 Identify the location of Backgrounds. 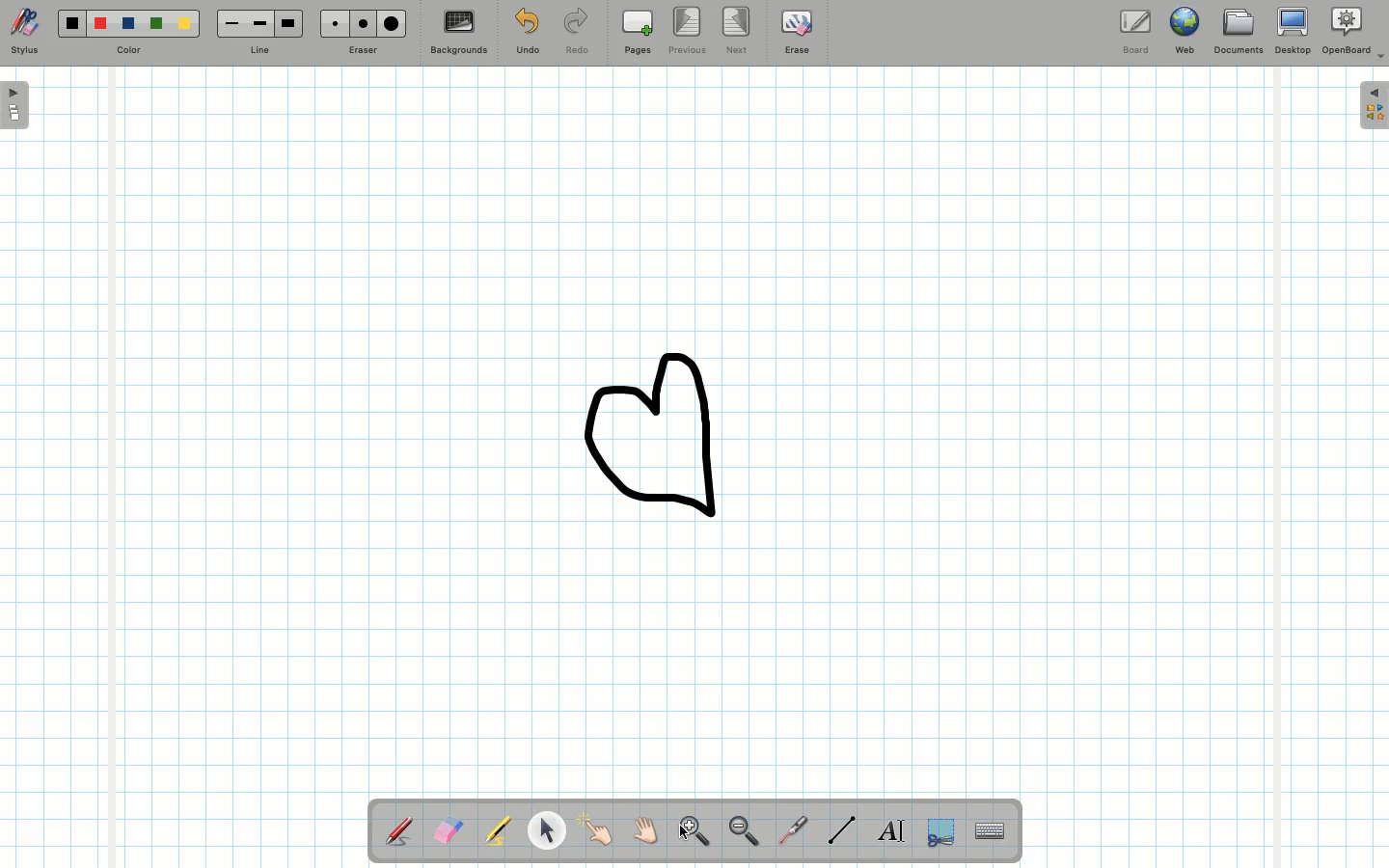
(459, 32).